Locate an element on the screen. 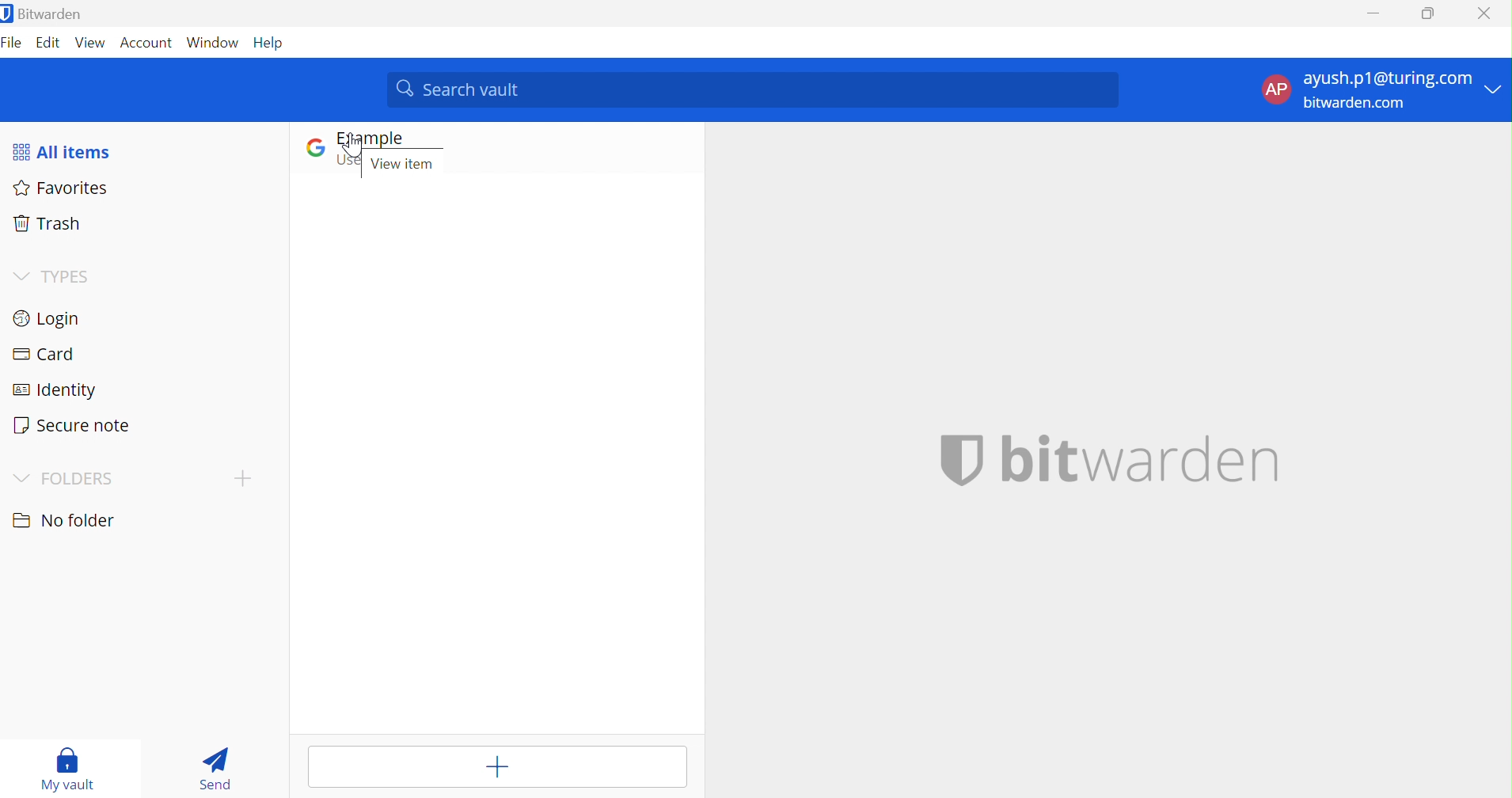 The width and height of the screenshot is (1512, 798). Minimize is located at coordinates (1370, 13).